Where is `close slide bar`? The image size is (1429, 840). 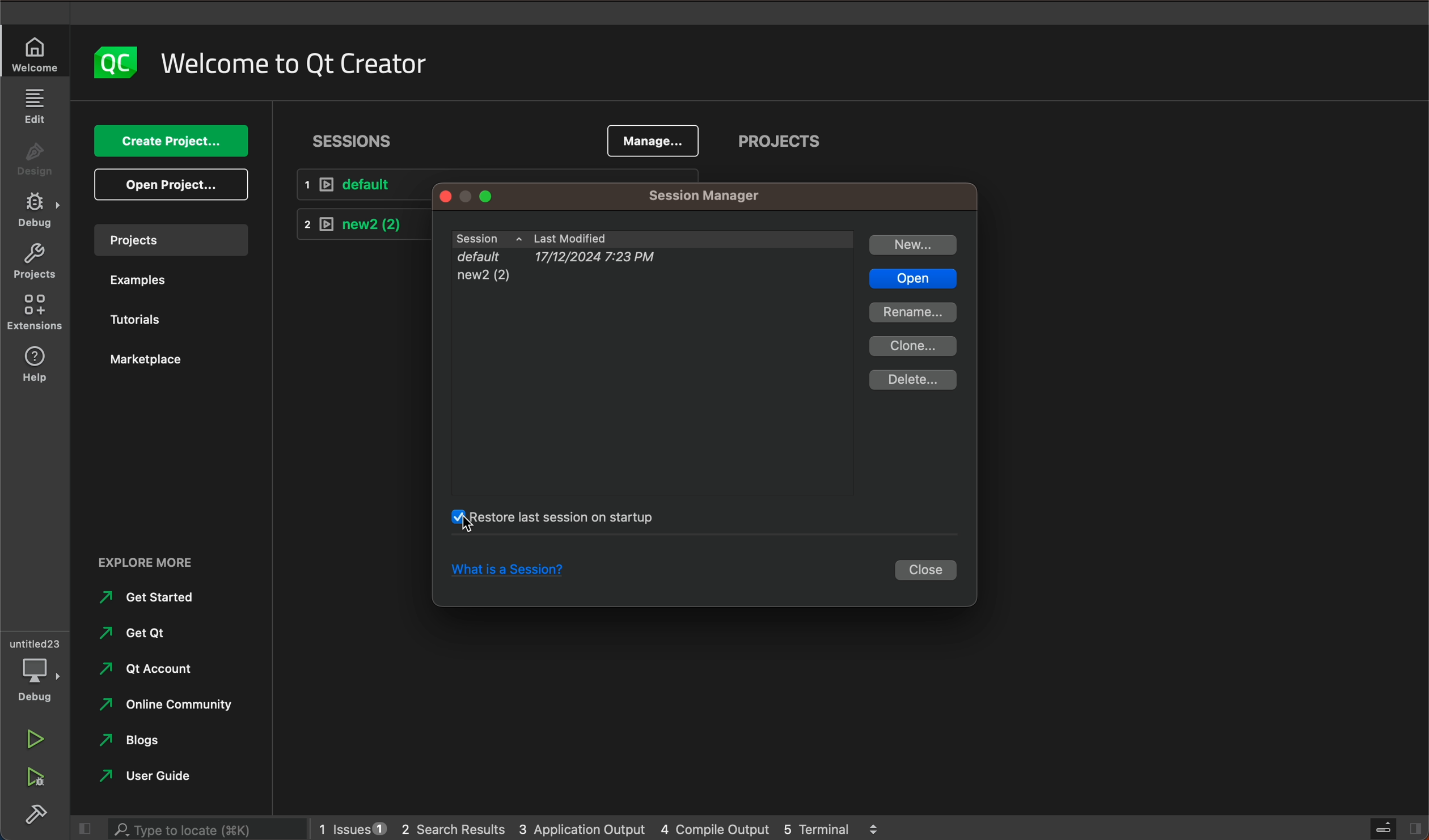 close slide bar is located at coordinates (82, 827).